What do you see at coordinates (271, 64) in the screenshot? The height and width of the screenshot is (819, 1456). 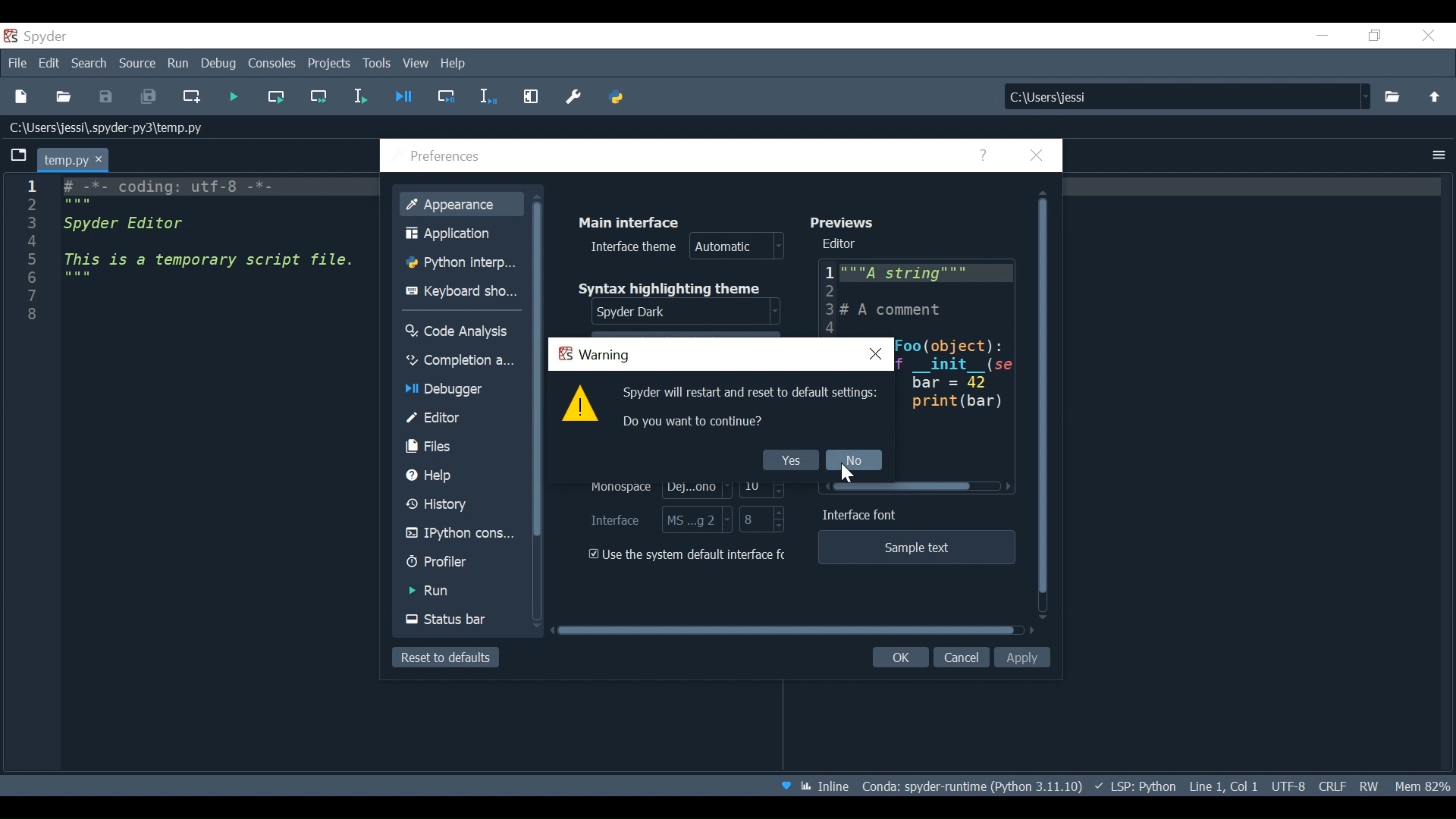 I see `Consoles` at bounding box center [271, 64].